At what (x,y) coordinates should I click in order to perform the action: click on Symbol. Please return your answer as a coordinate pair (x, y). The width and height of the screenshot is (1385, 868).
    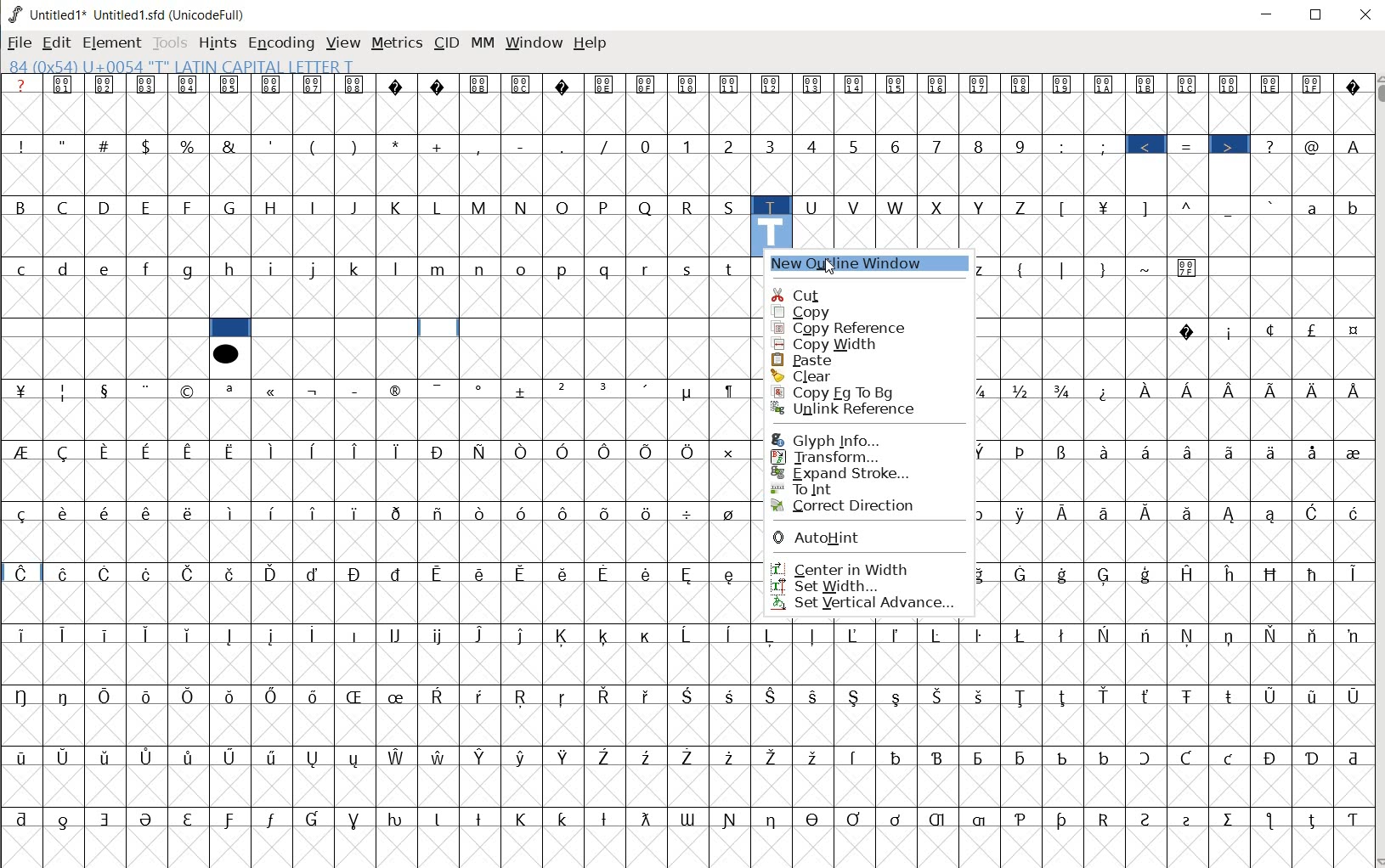
    Looking at the image, I should click on (439, 756).